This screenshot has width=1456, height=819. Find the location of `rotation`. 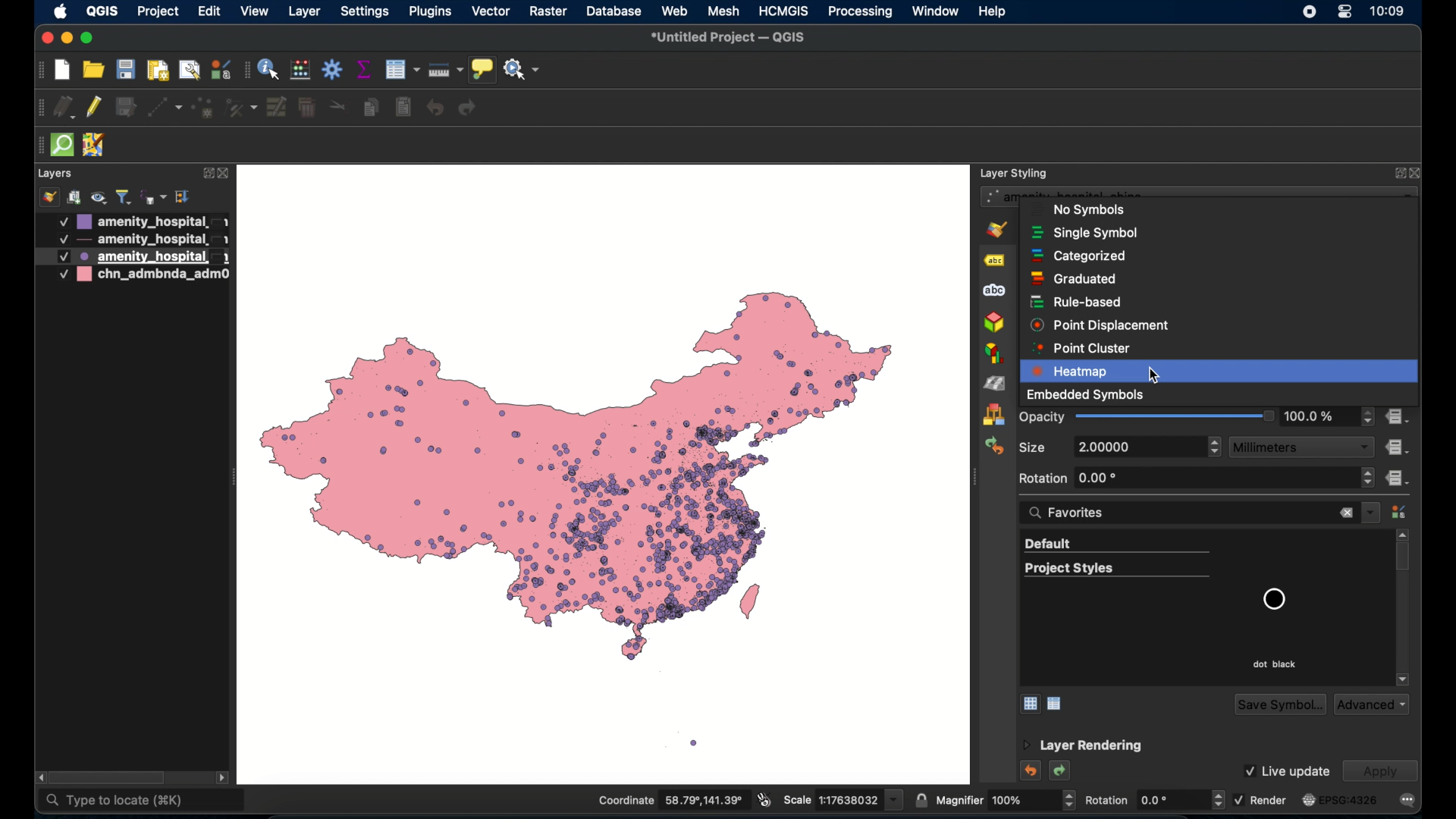

rotation is located at coordinates (1153, 799).